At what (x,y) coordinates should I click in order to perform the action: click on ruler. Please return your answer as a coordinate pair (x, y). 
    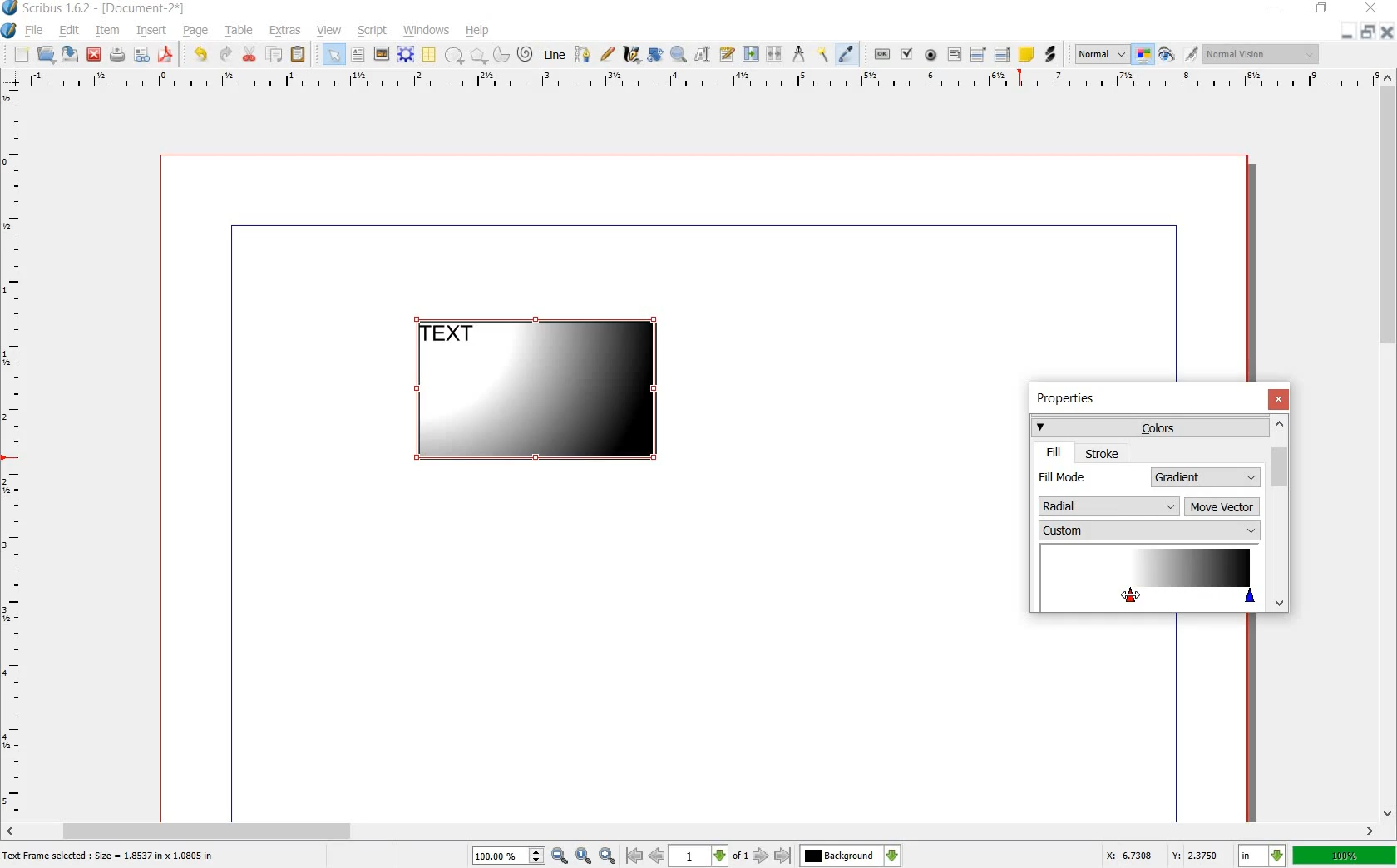
    Looking at the image, I should click on (14, 452).